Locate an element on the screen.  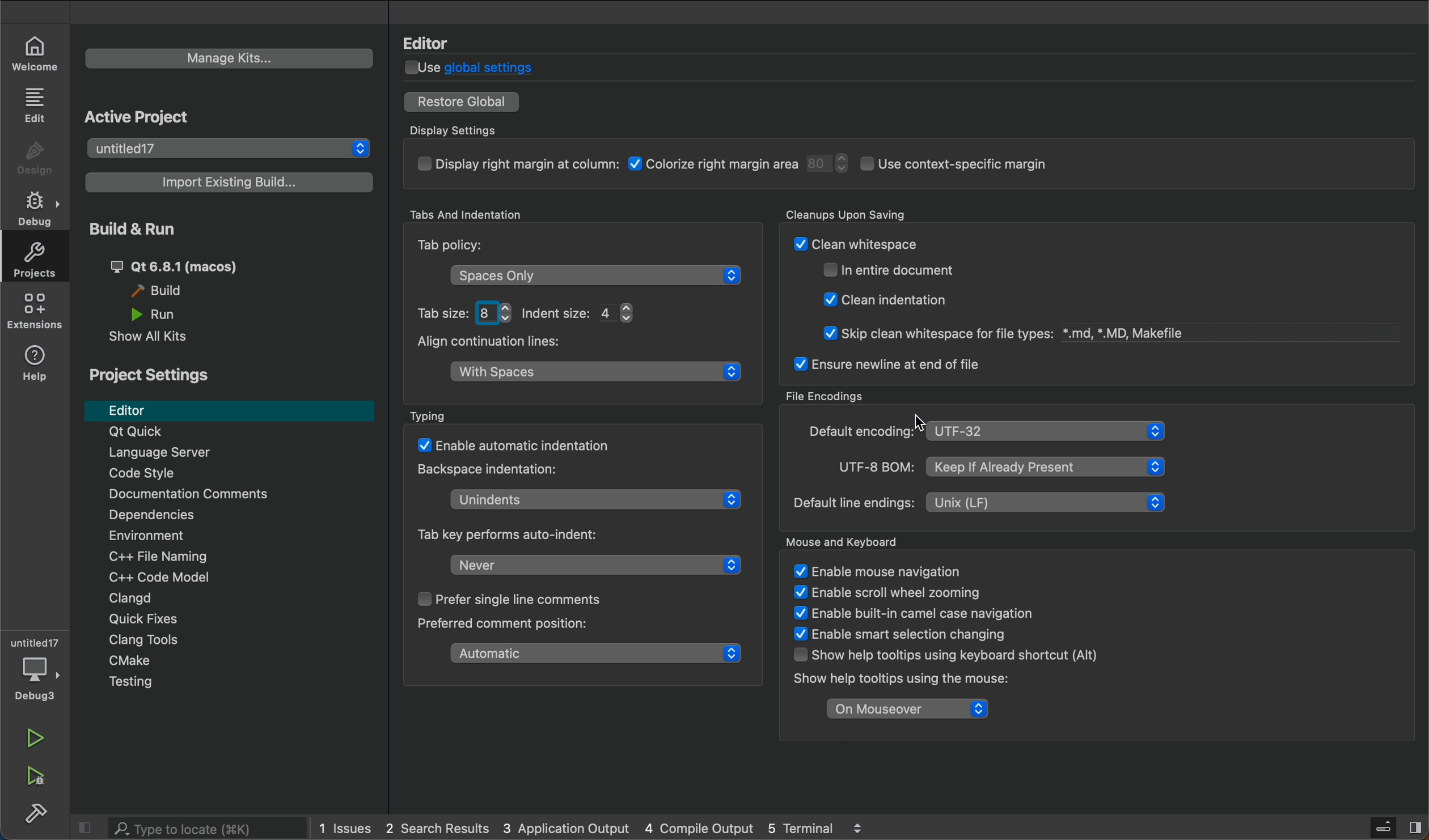
TT ogee StS:
¥ Enable smart selection changing is located at coordinates (932, 634).